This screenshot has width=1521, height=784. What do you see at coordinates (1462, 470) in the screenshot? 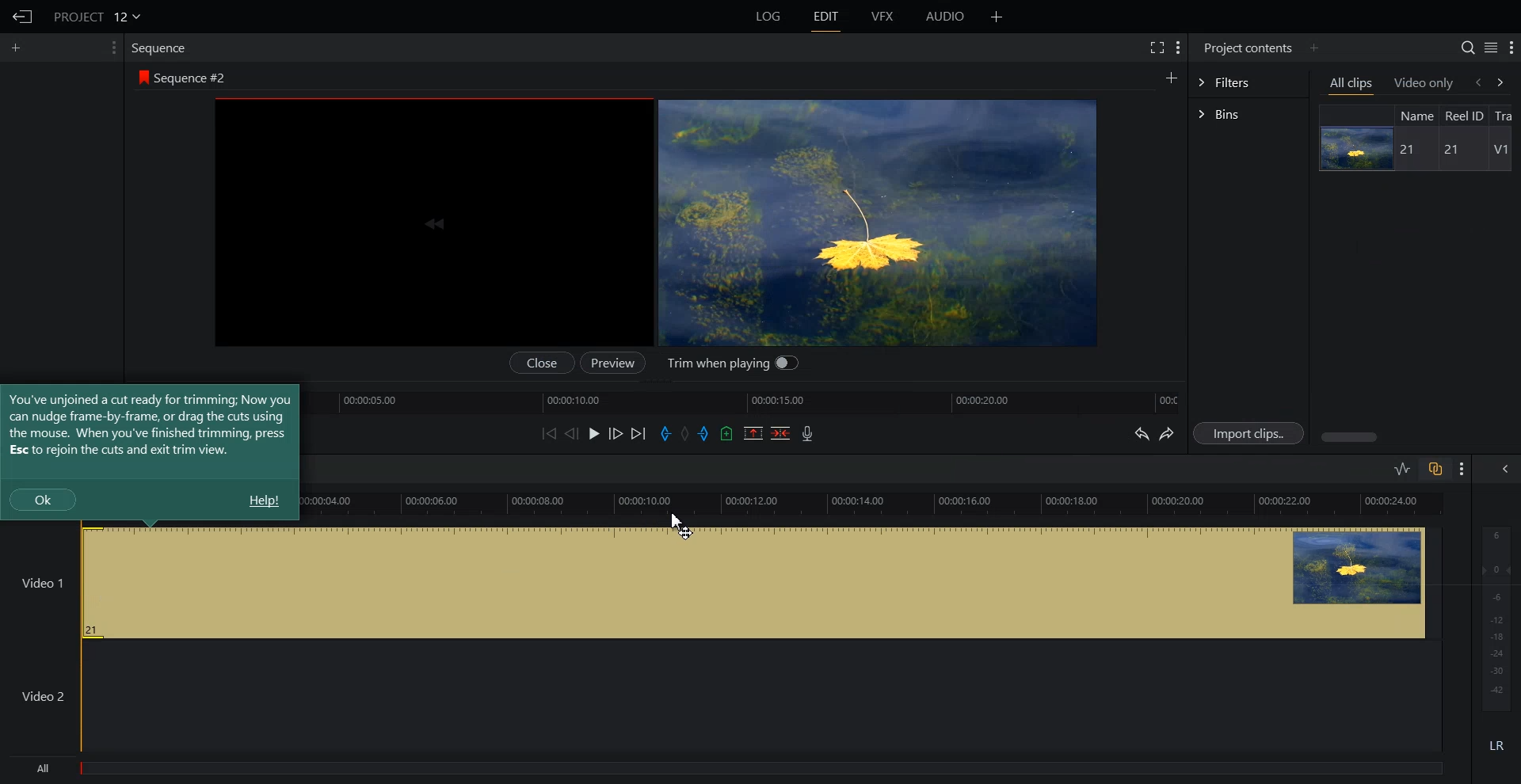
I see `Show Setting Menu` at bounding box center [1462, 470].